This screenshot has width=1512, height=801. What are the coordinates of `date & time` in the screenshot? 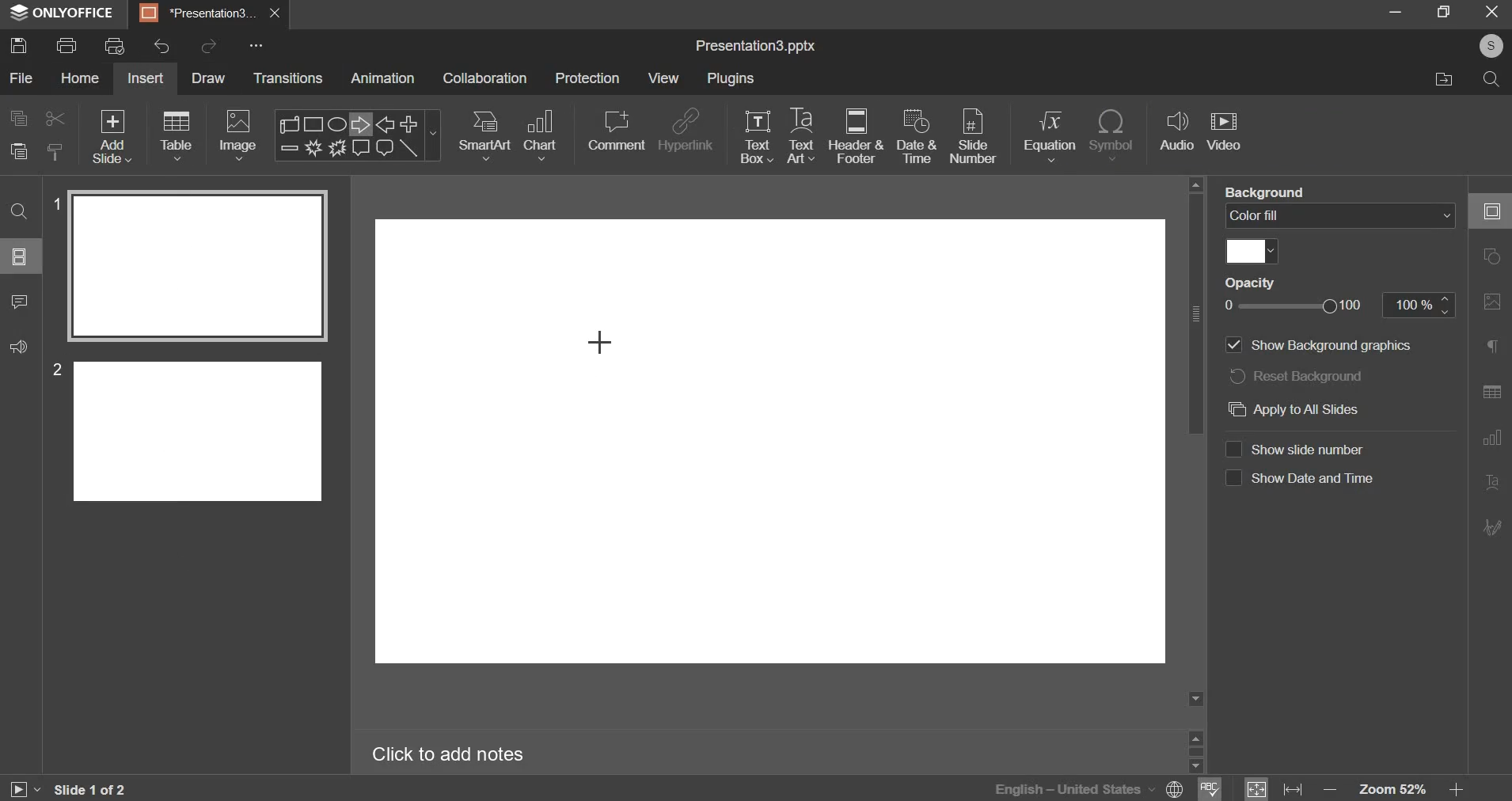 It's located at (917, 135).